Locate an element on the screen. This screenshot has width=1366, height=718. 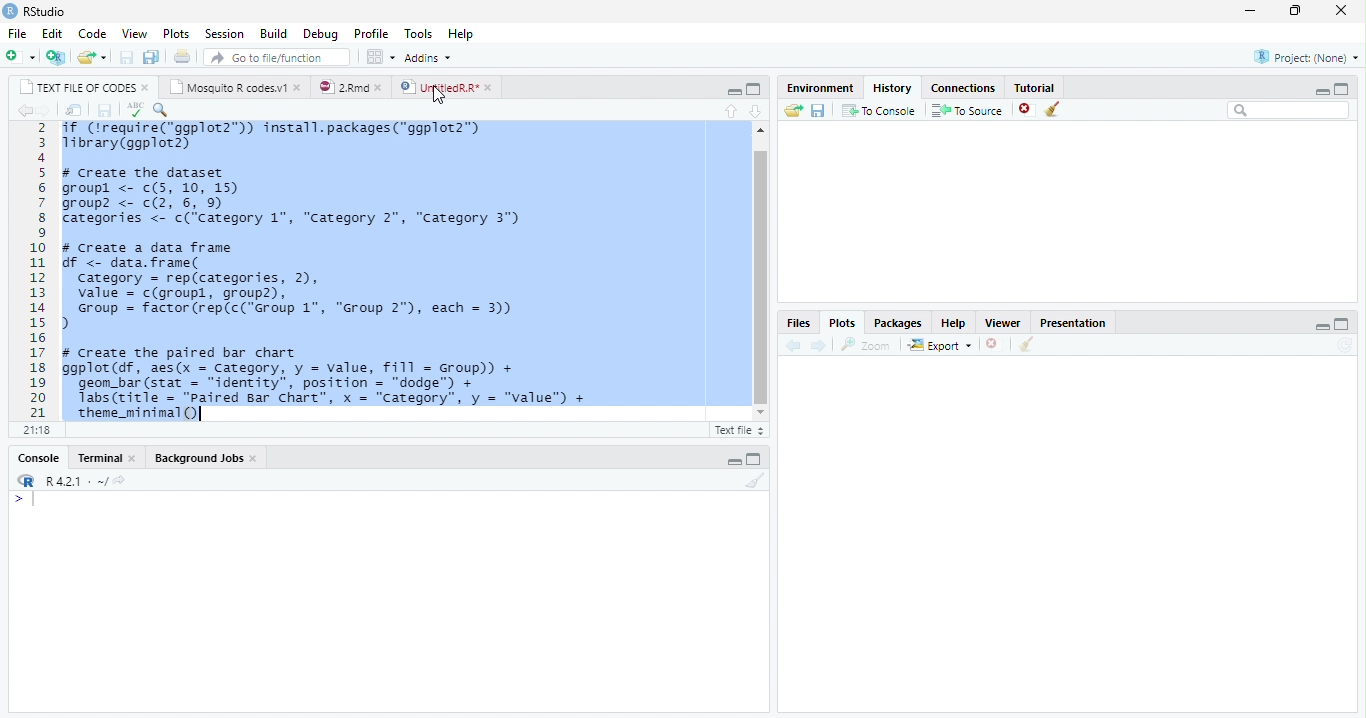
close is located at coordinates (1339, 11).